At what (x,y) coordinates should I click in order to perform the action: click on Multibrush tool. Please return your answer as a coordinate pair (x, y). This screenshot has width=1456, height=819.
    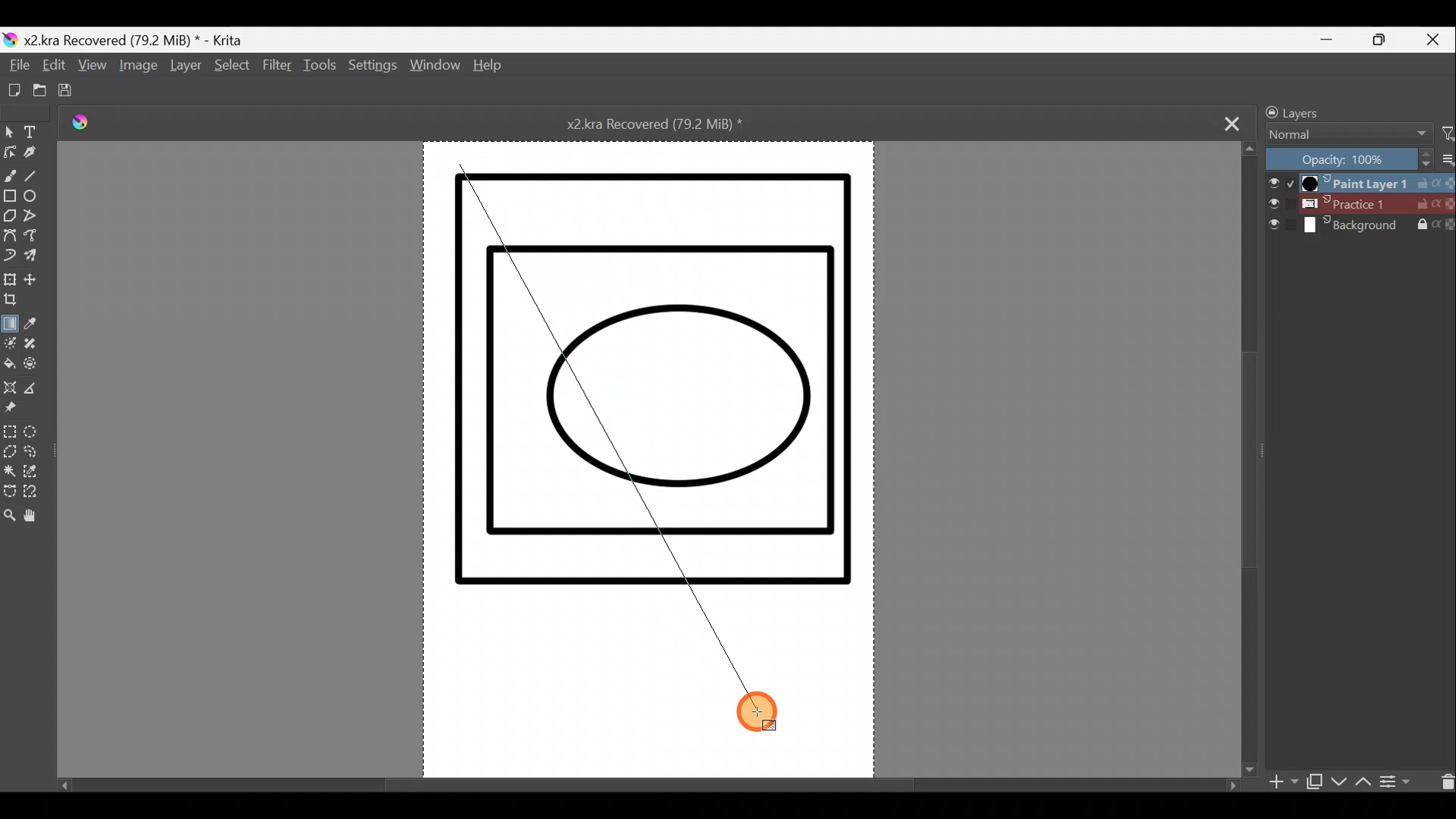
    Looking at the image, I should click on (36, 257).